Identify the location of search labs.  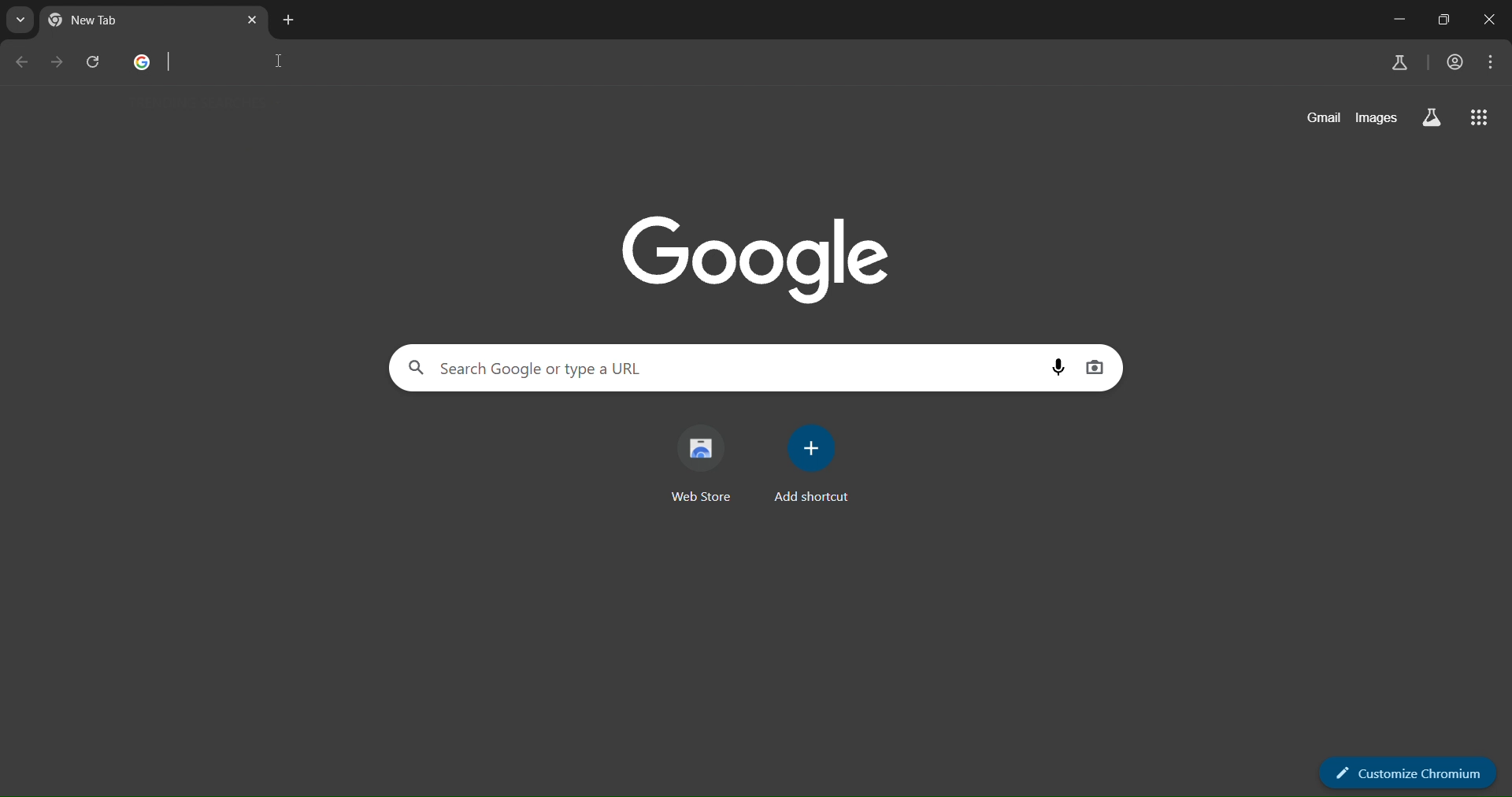
(1401, 61).